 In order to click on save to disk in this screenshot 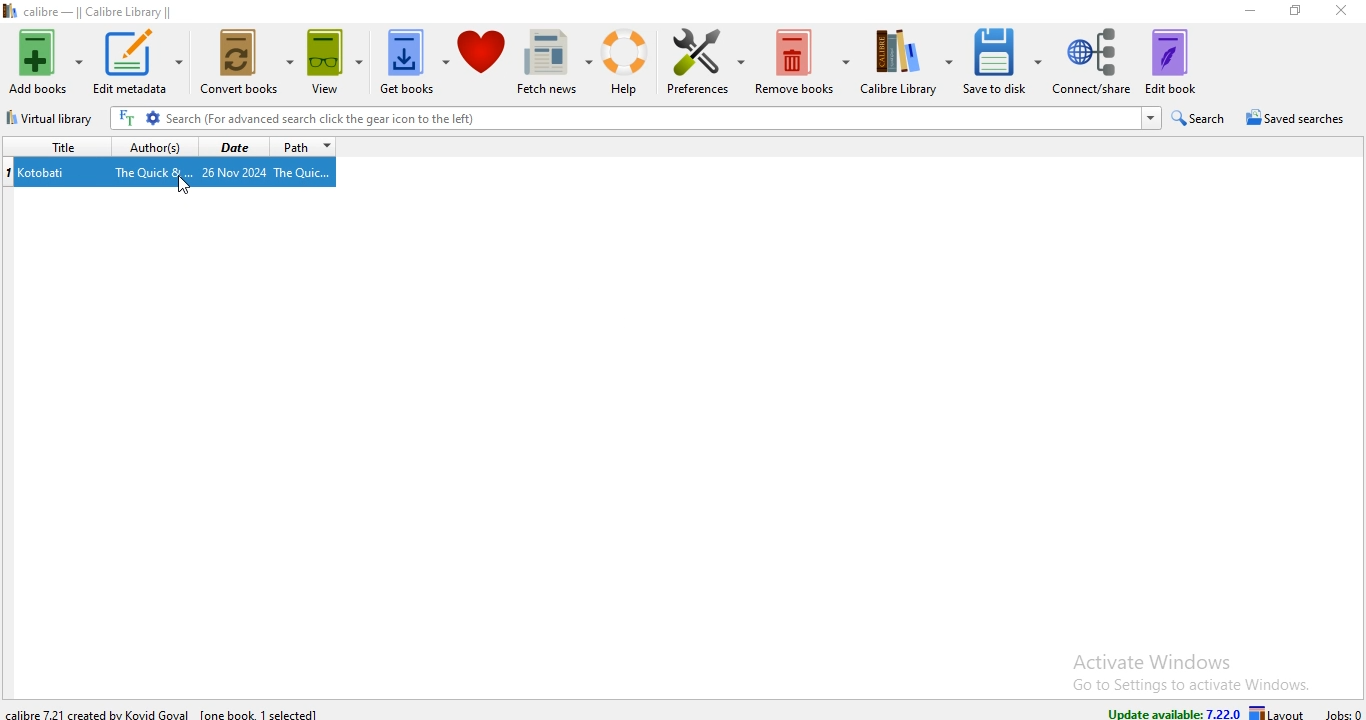, I will do `click(1003, 60)`.